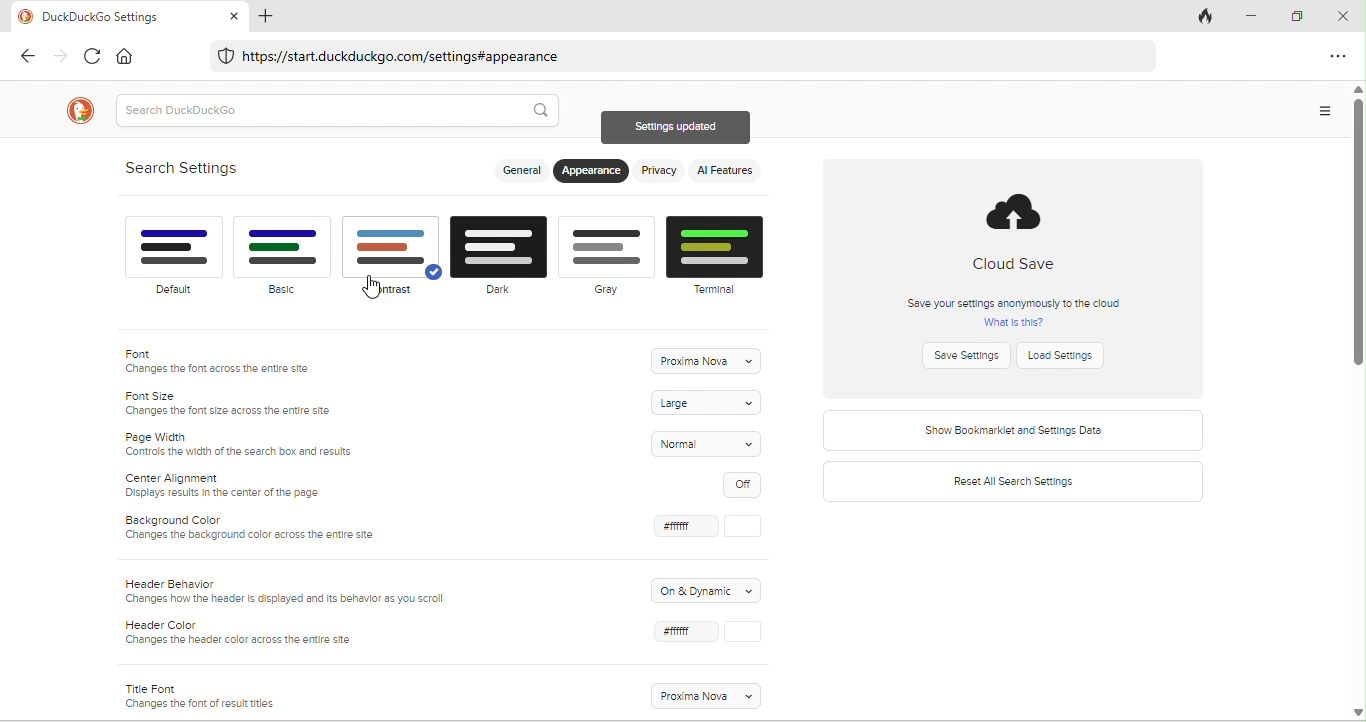  Describe the element at coordinates (27, 57) in the screenshot. I see `back` at that location.